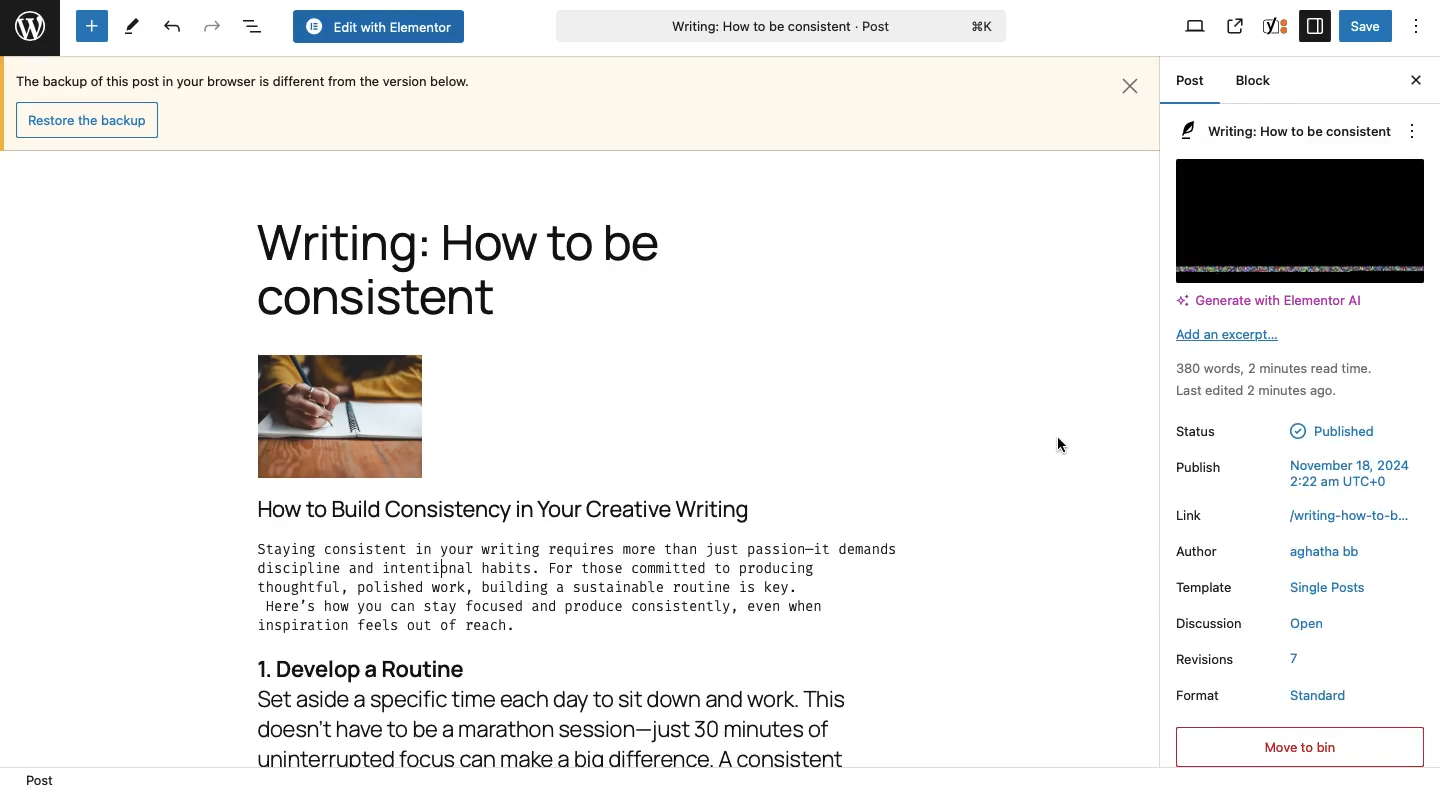 This screenshot has width=1440, height=792. Describe the element at coordinates (1314, 25) in the screenshot. I see `Settings` at that location.